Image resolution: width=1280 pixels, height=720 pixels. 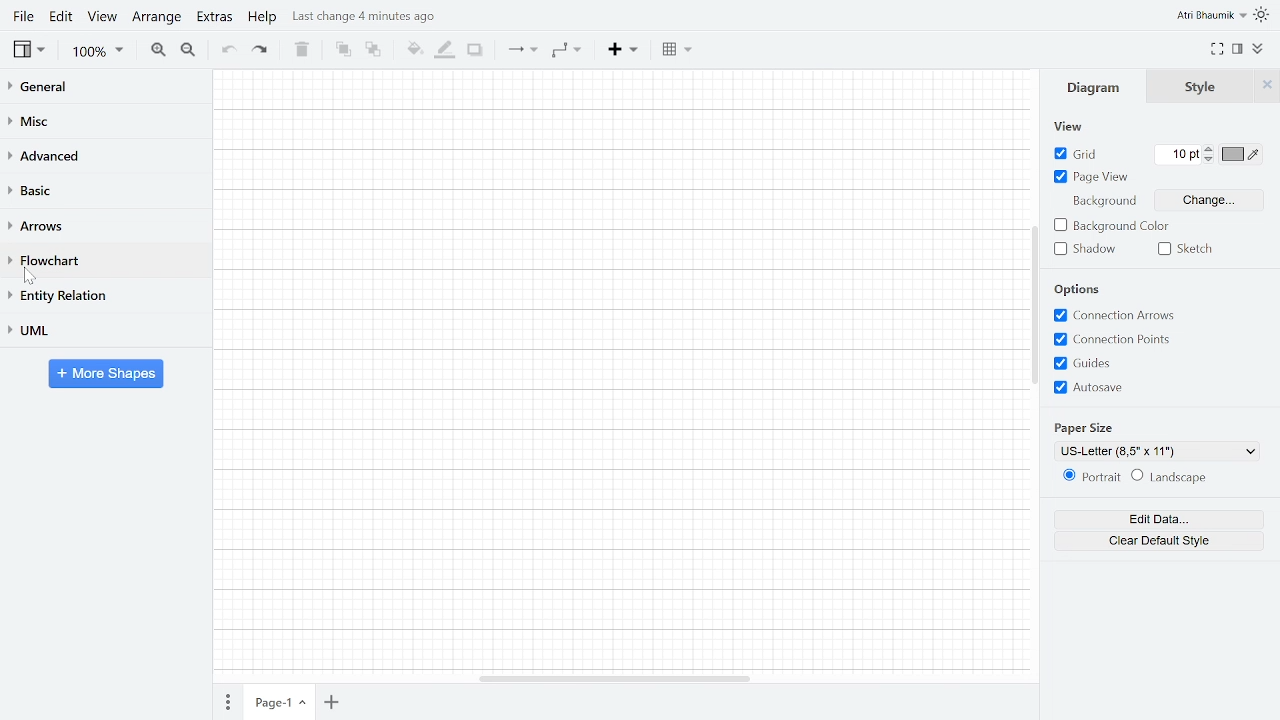 What do you see at coordinates (266, 52) in the screenshot?
I see `Redo` at bounding box center [266, 52].